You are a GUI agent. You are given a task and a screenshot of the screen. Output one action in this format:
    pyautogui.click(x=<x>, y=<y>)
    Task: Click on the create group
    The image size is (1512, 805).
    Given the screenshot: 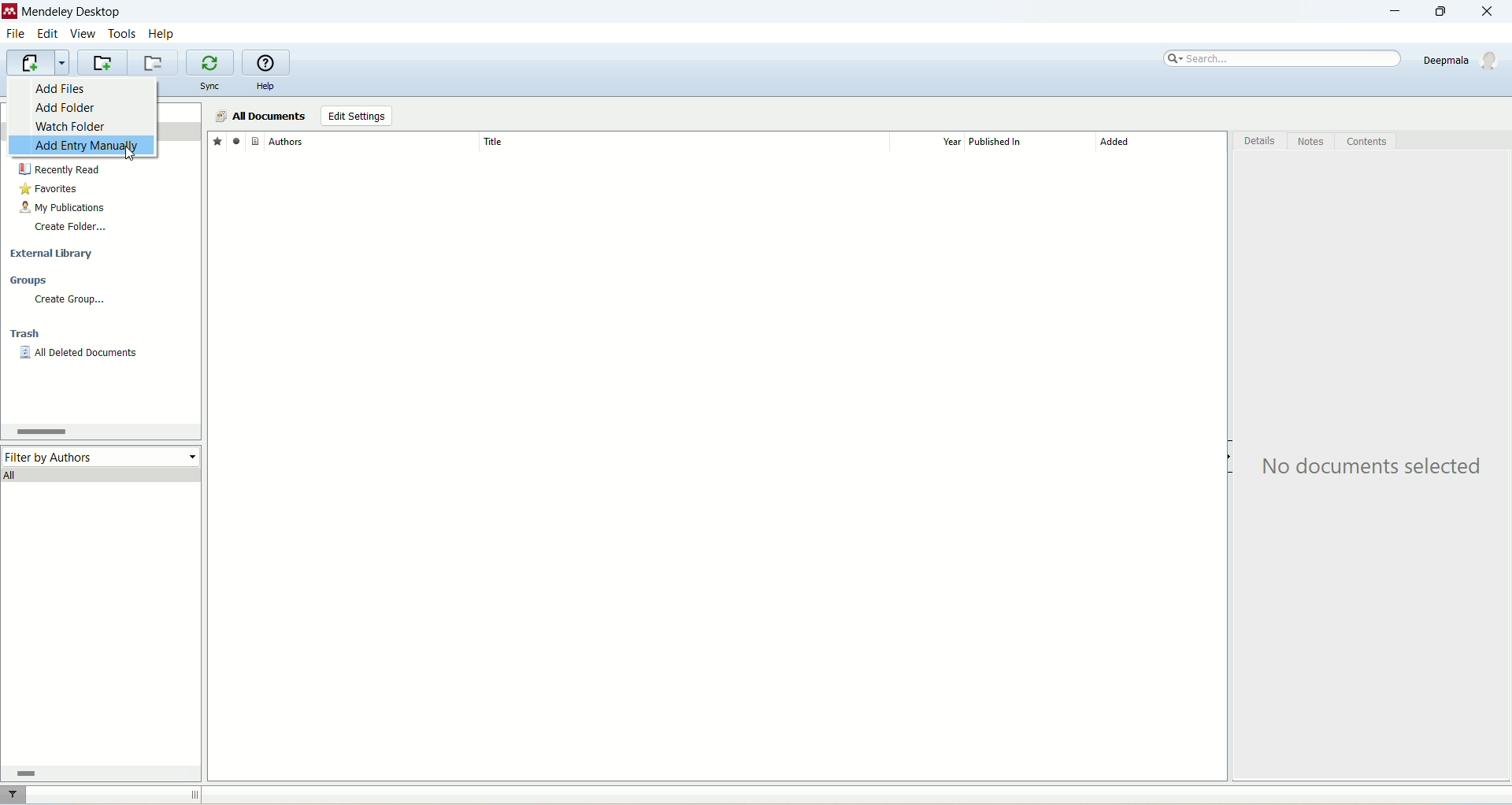 What is the action you would take?
    pyautogui.click(x=69, y=299)
    